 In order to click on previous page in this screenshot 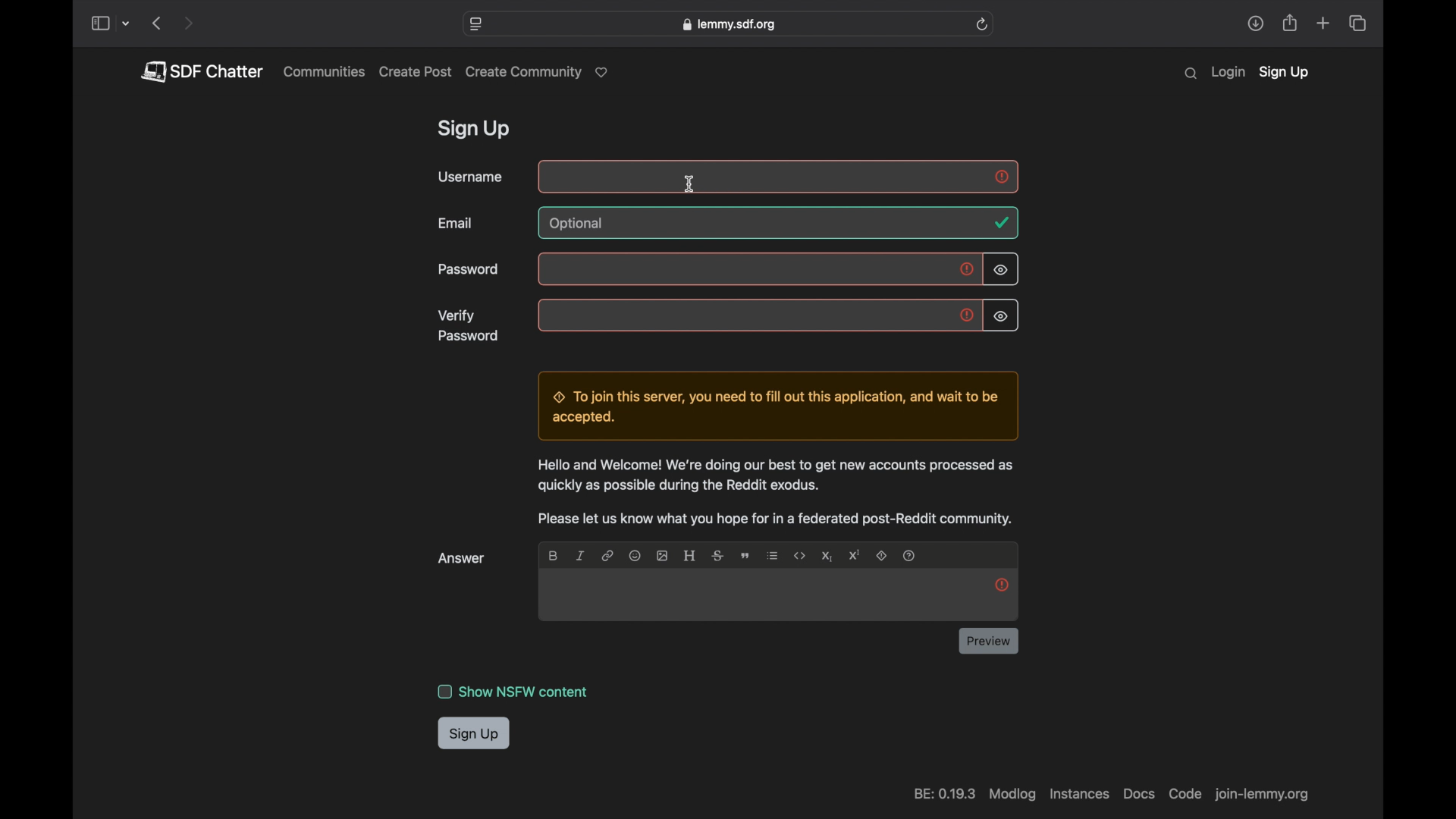, I will do `click(156, 23)`.